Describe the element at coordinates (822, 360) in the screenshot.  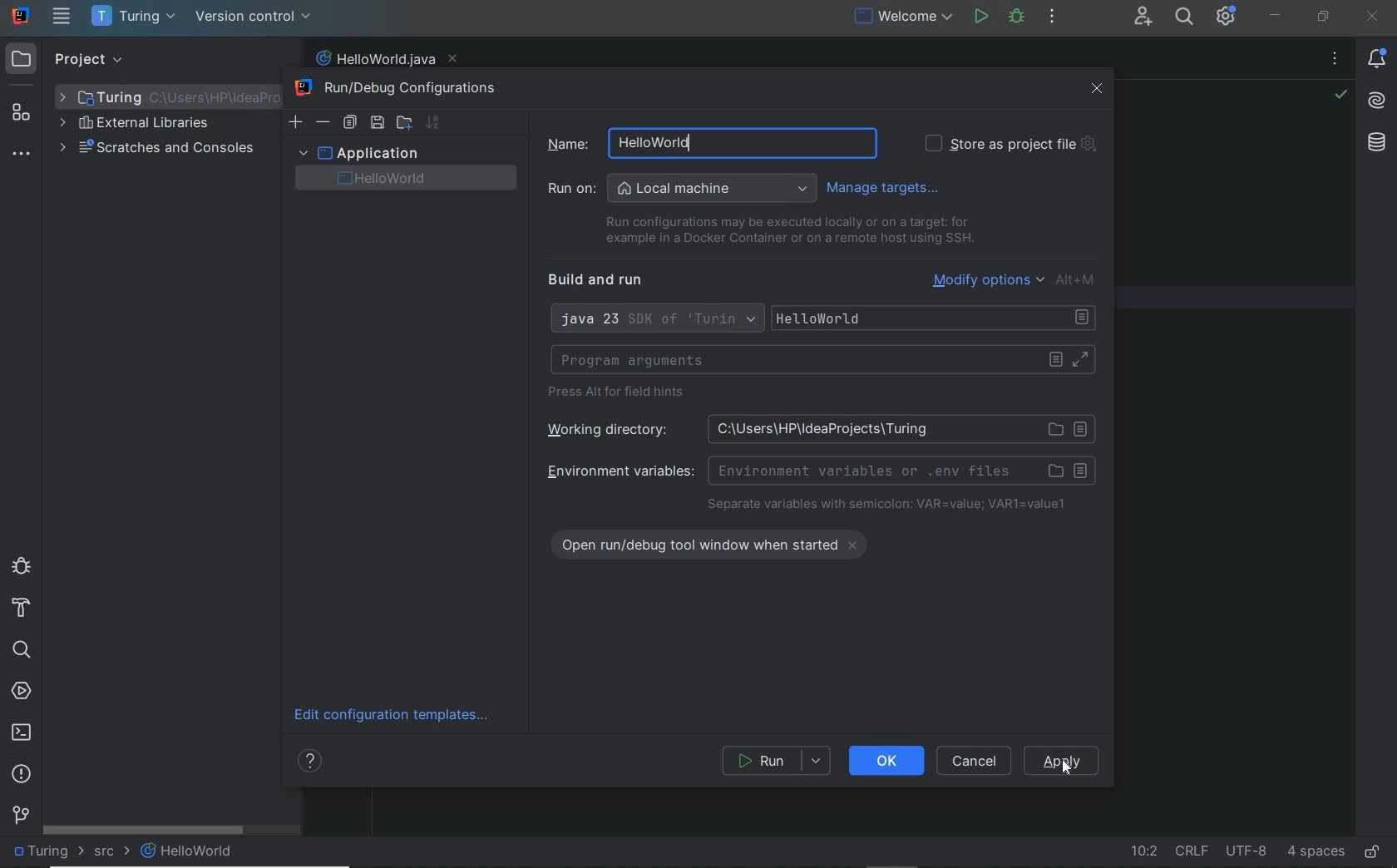
I see `program arguments` at that location.